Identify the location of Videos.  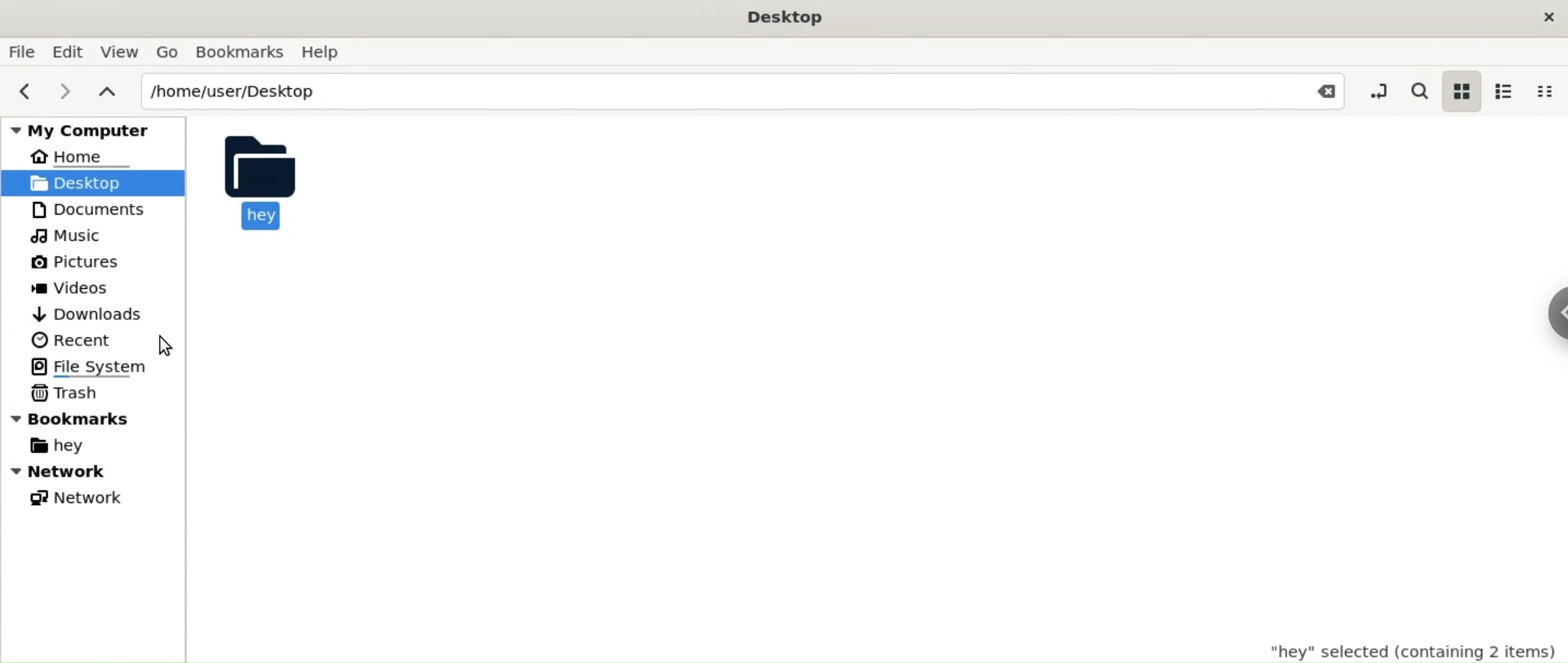
(71, 289).